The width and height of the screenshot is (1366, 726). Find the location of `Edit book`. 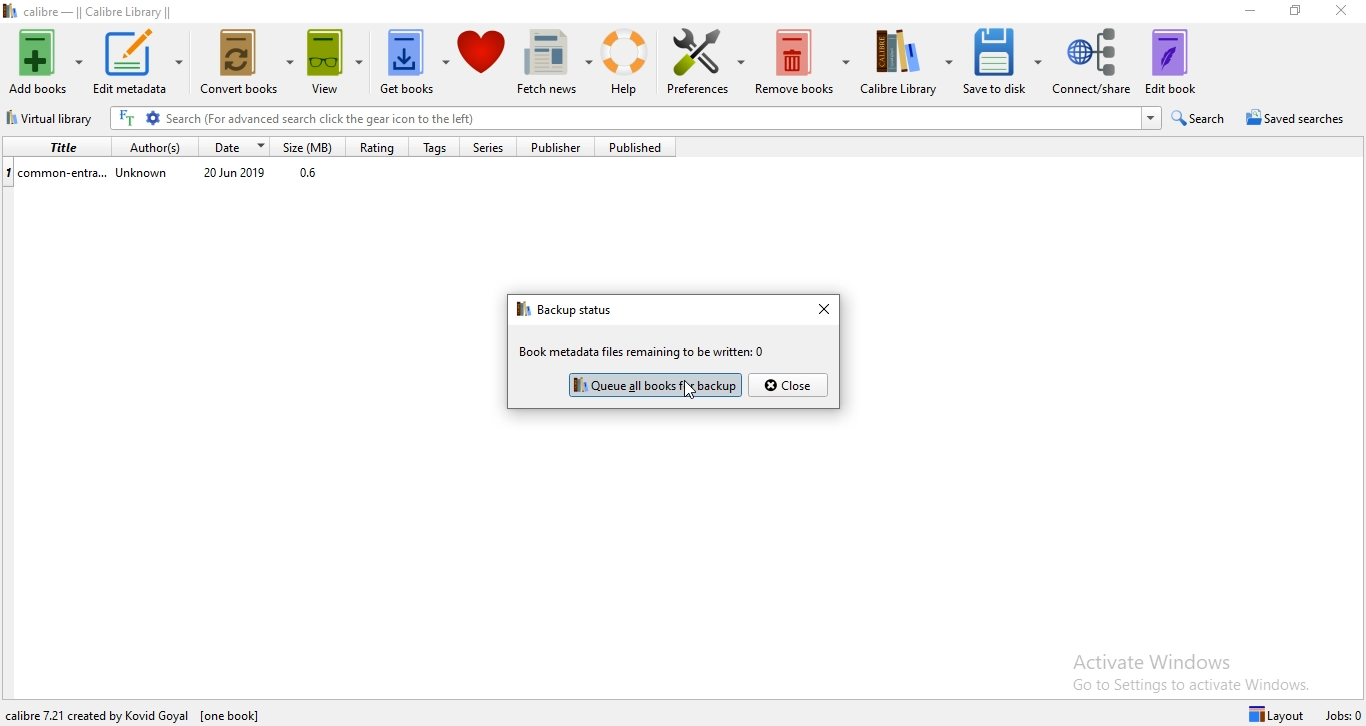

Edit book is located at coordinates (1181, 60).